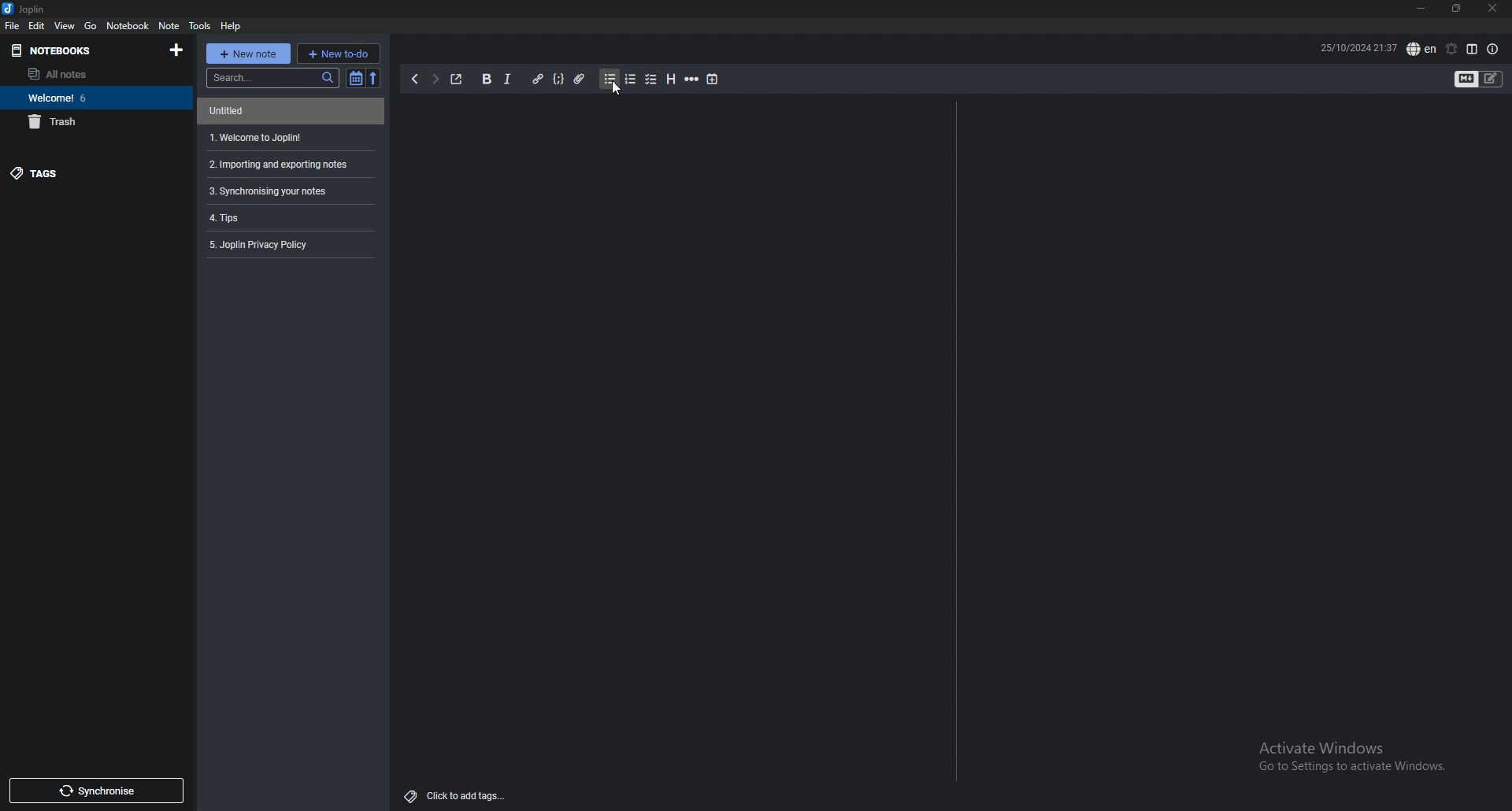  I want to click on checkbox, so click(647, 80).